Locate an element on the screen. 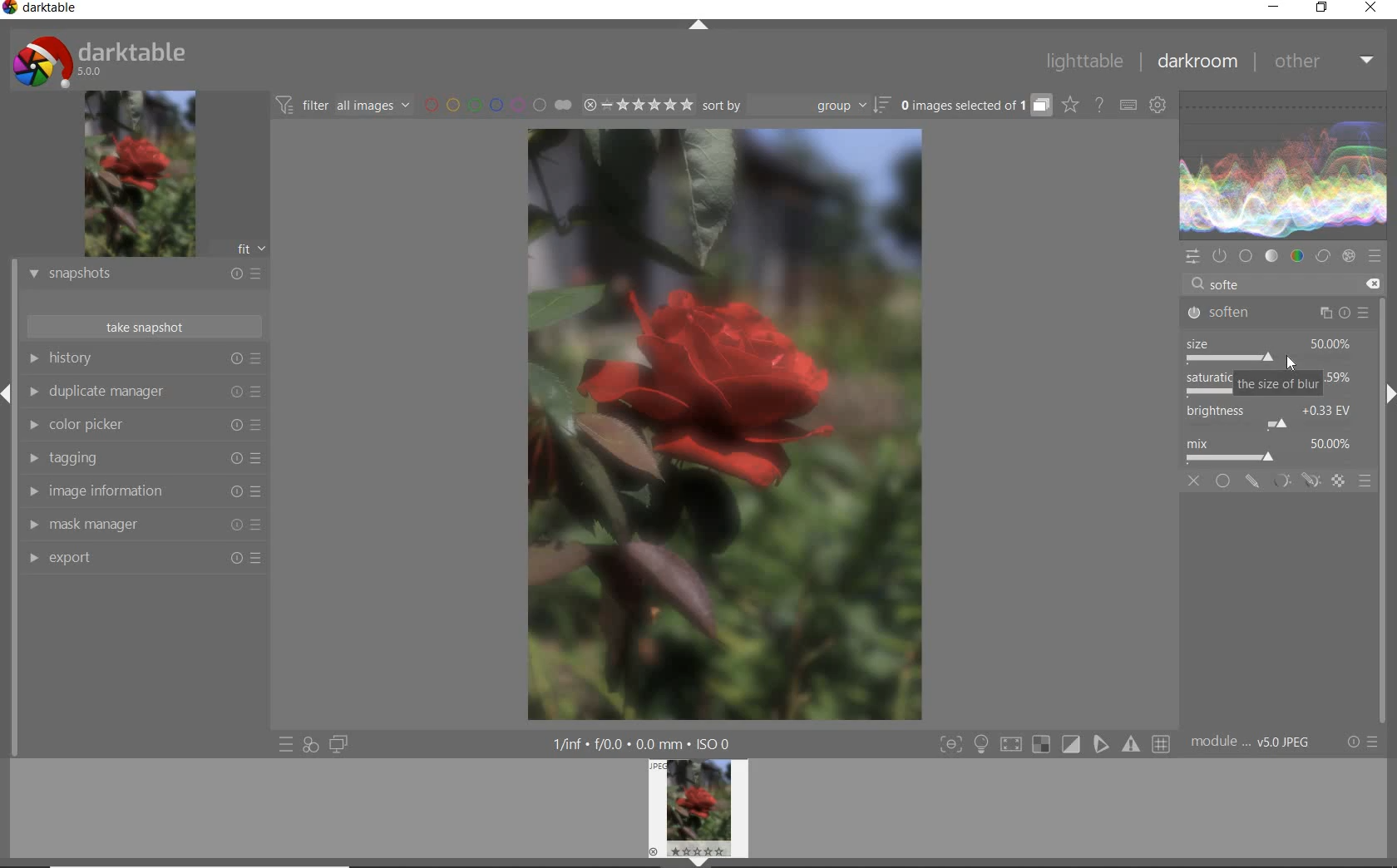 This screenshot has height=868, width=1397. image preview is located at coordinates (139, 175).